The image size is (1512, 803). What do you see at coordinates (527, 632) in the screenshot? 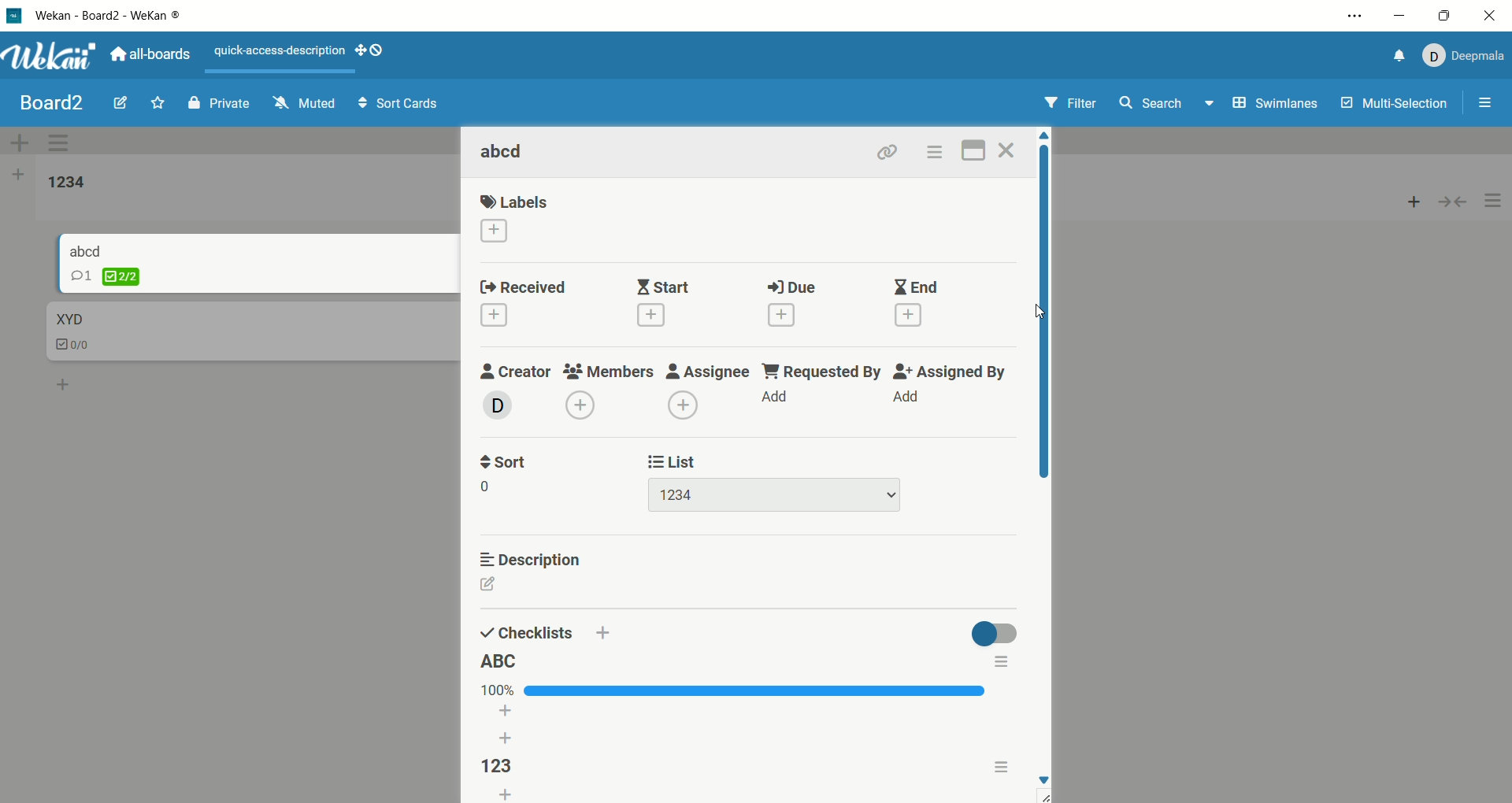
I see `checklist` at bounding box center [527, 632].